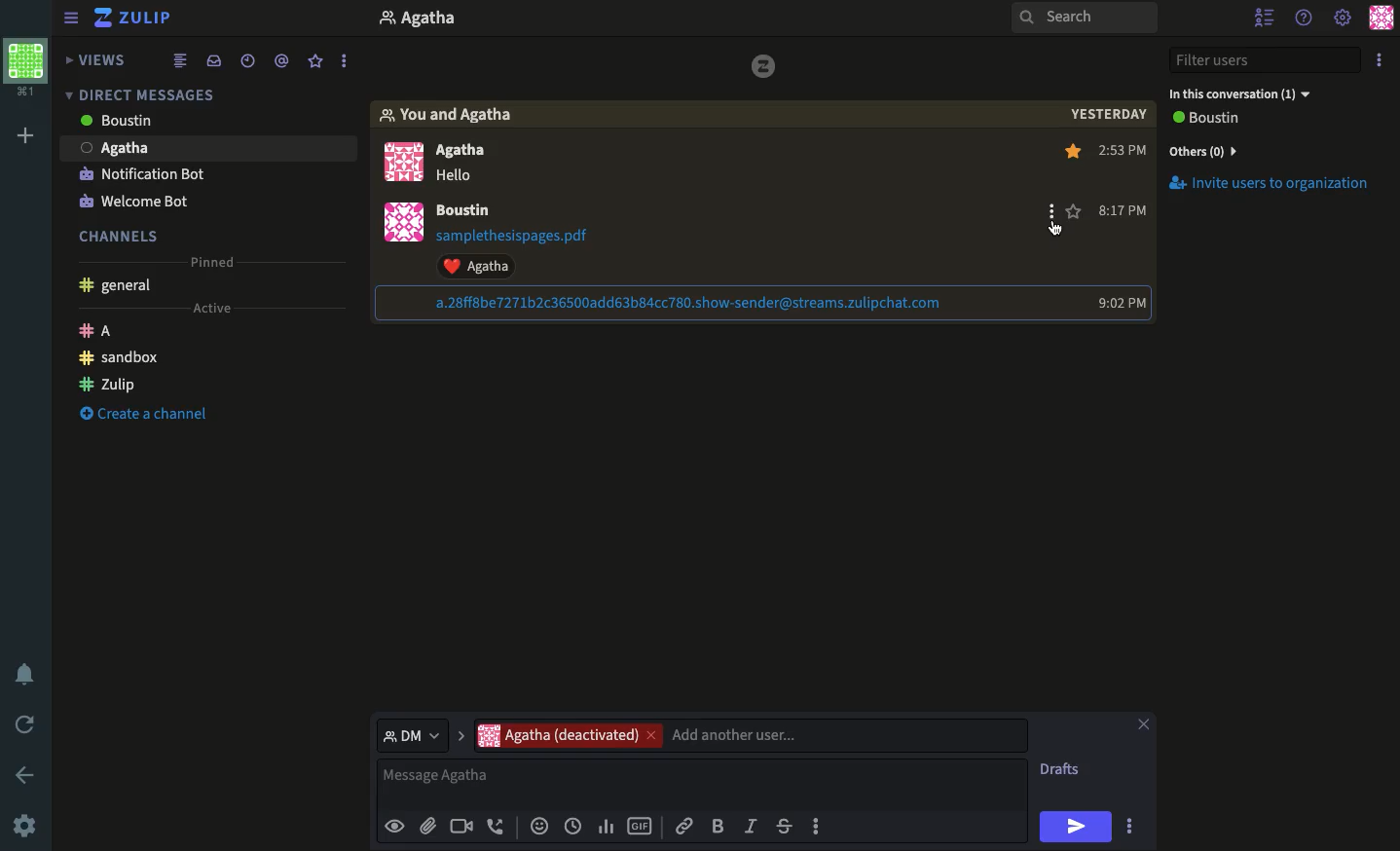 The image size is (1400, 851). What do you see at coordinates (718, 825) in the screenshot?
I see `Bold` at bounding box center [718, 825].